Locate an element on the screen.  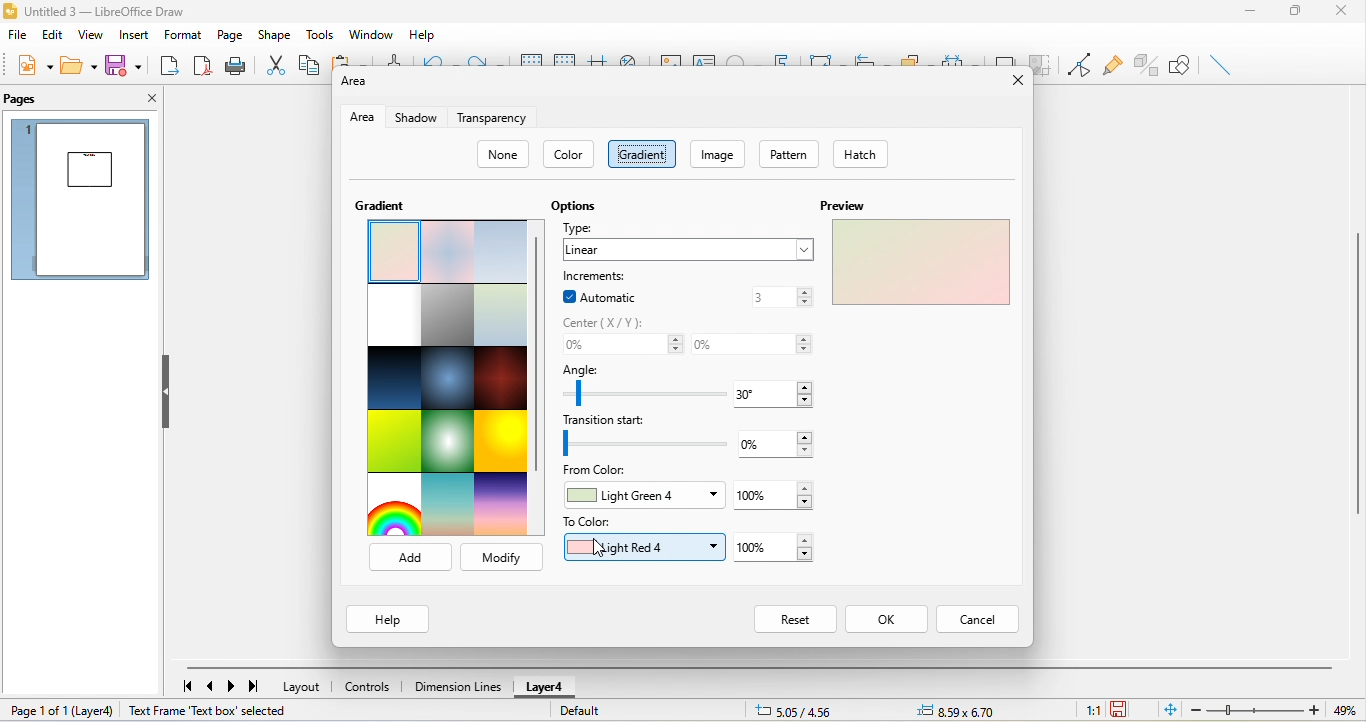
cursor position-5.05/4.56 is located at coordinates (794, 712).